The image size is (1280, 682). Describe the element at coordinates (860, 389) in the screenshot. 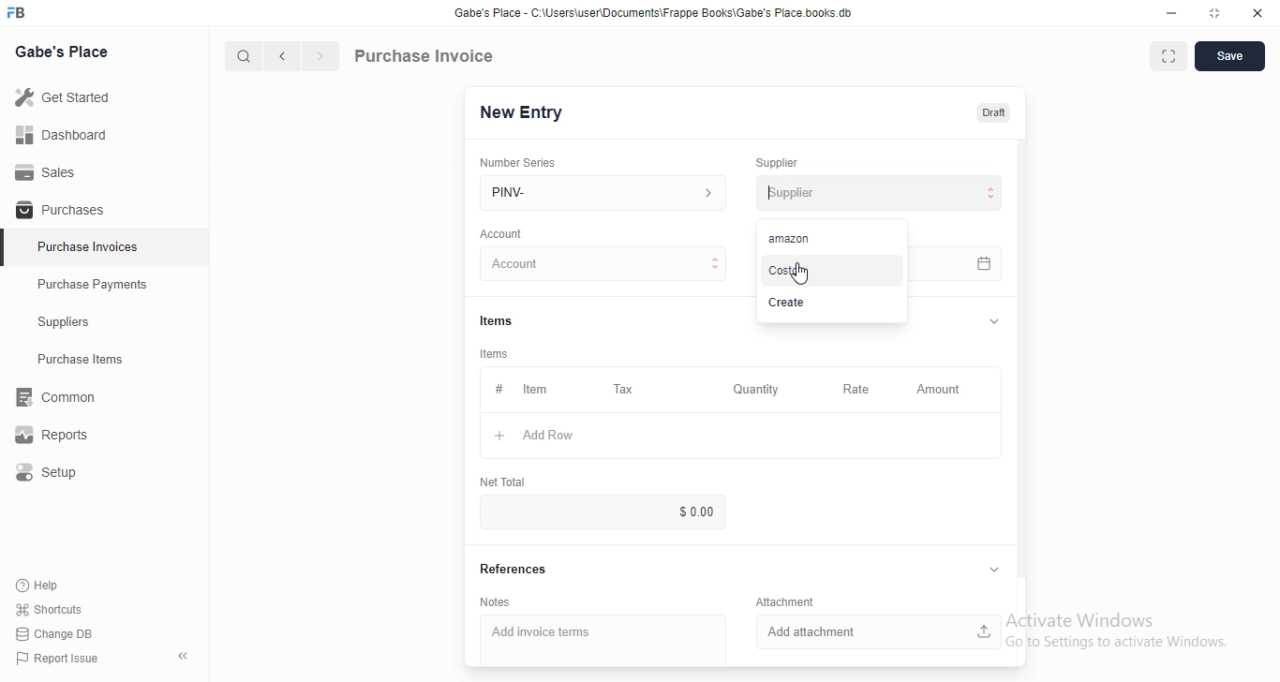

I see `Rate` at that location.